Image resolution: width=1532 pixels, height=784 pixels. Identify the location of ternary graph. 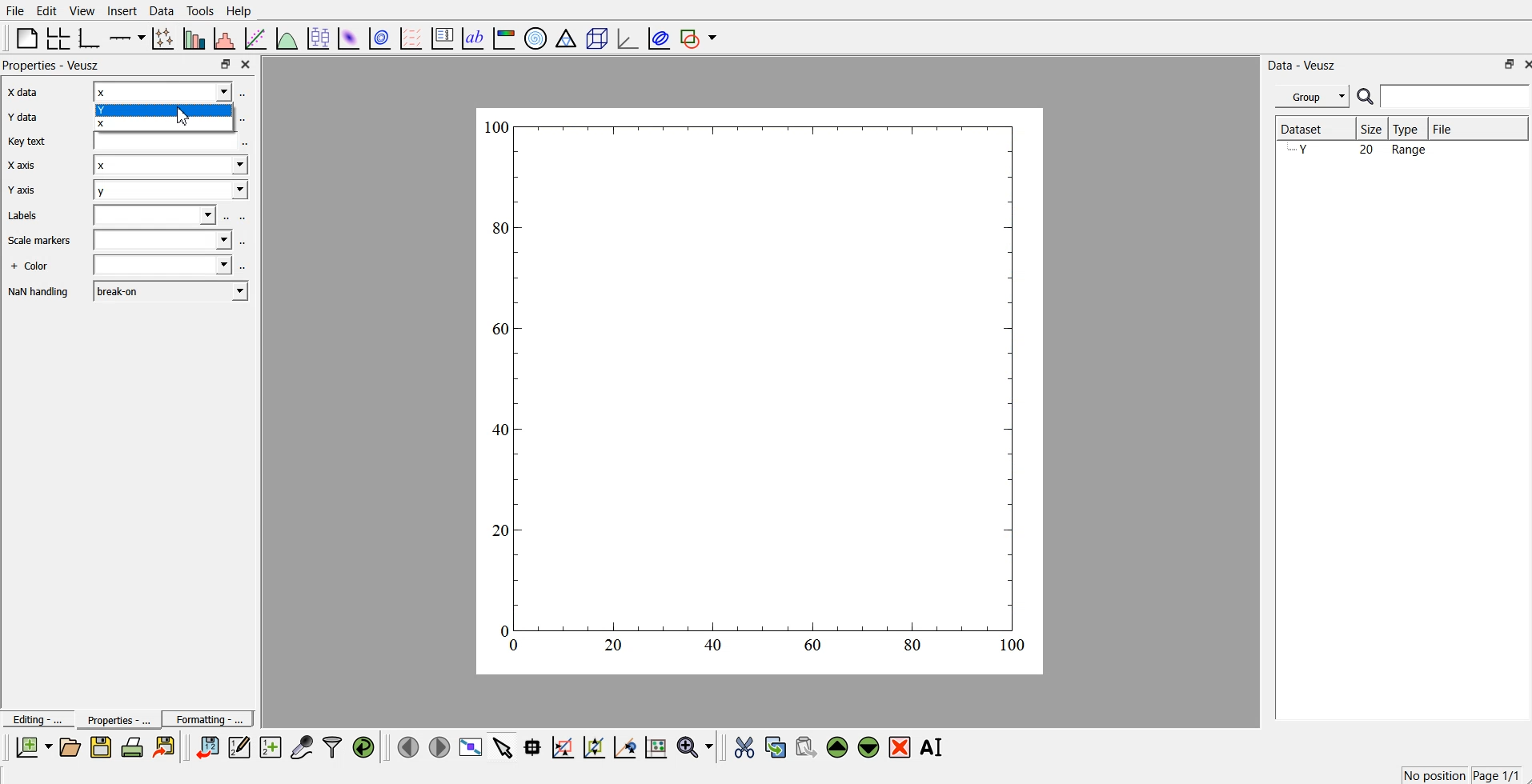
(567, 37).